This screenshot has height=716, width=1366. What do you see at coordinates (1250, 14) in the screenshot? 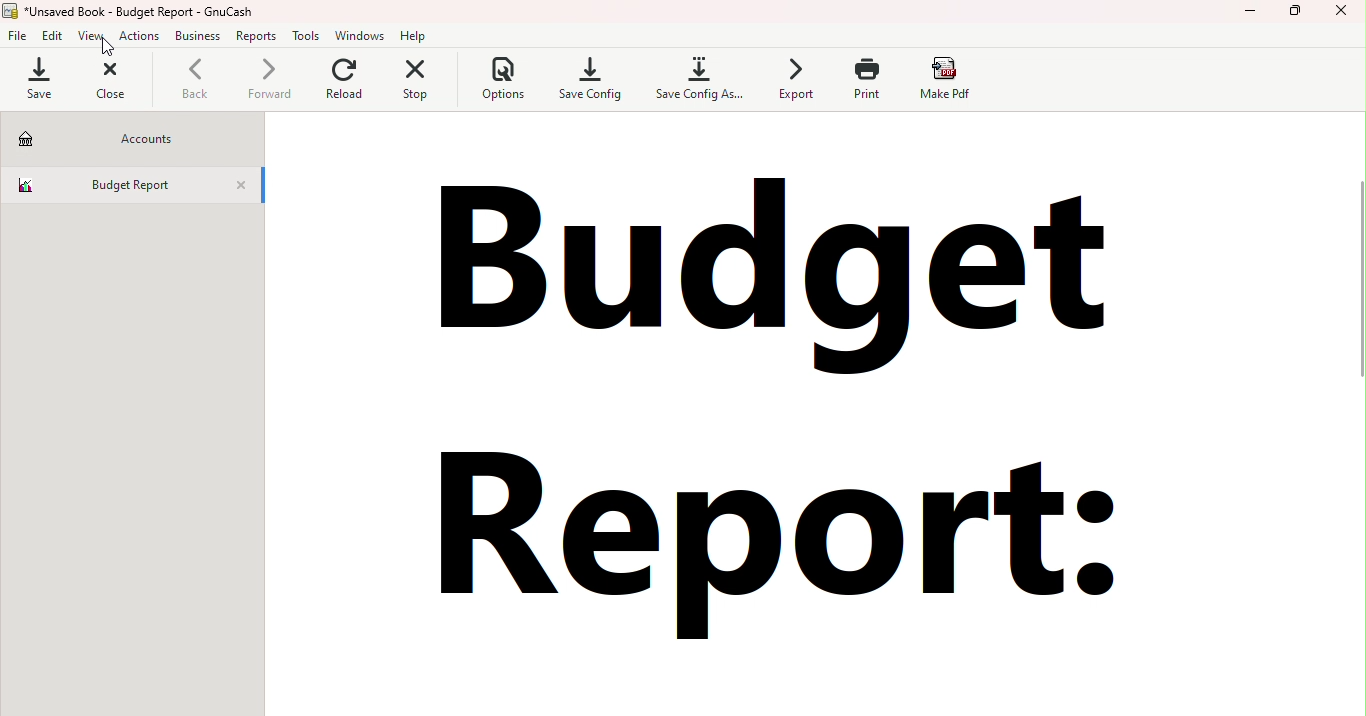
I see `Minimize` at bounding box center [1250, 14].